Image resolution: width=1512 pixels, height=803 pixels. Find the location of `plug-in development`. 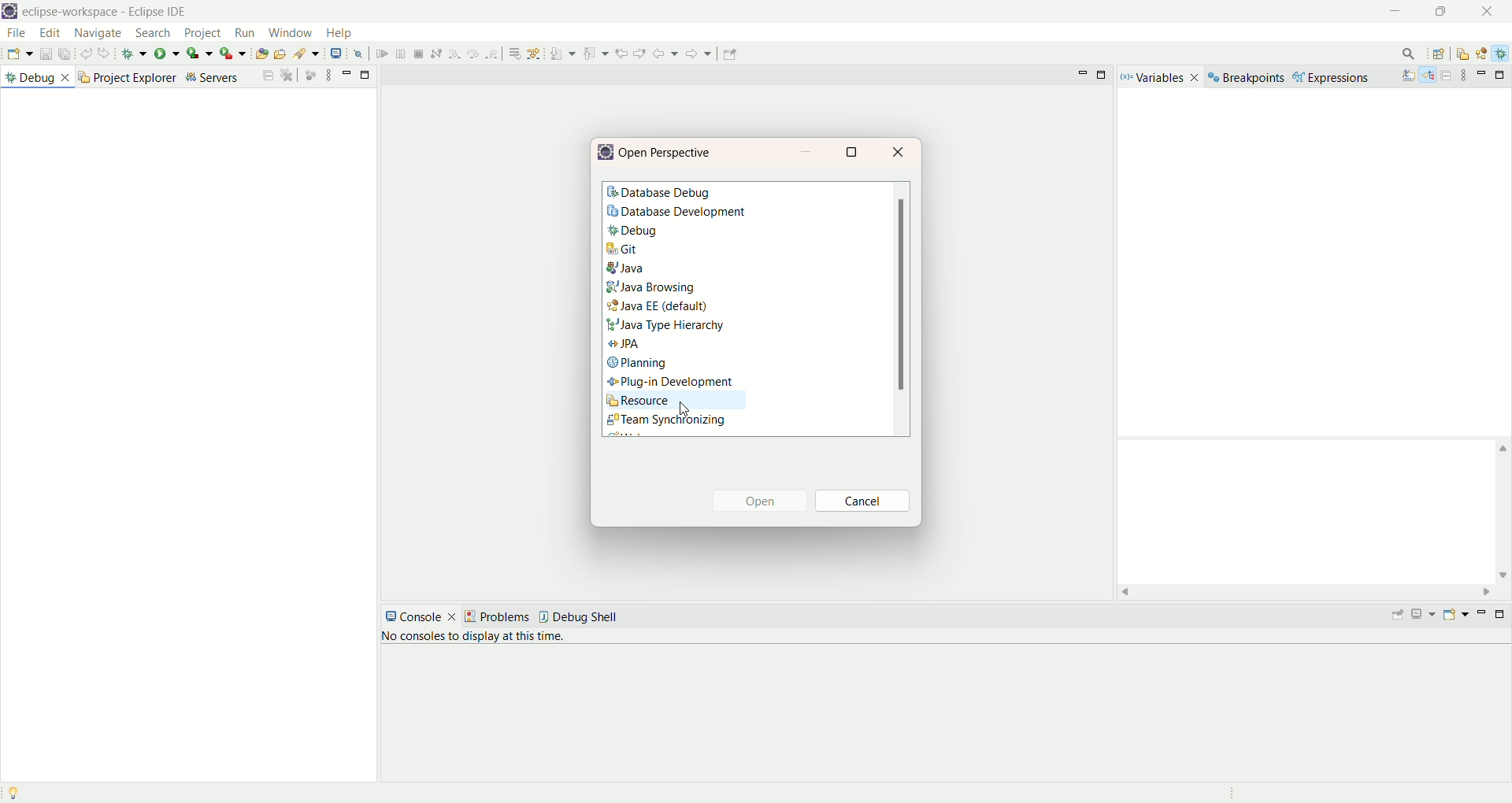

plug-in development is located at coordinates (669, 382).